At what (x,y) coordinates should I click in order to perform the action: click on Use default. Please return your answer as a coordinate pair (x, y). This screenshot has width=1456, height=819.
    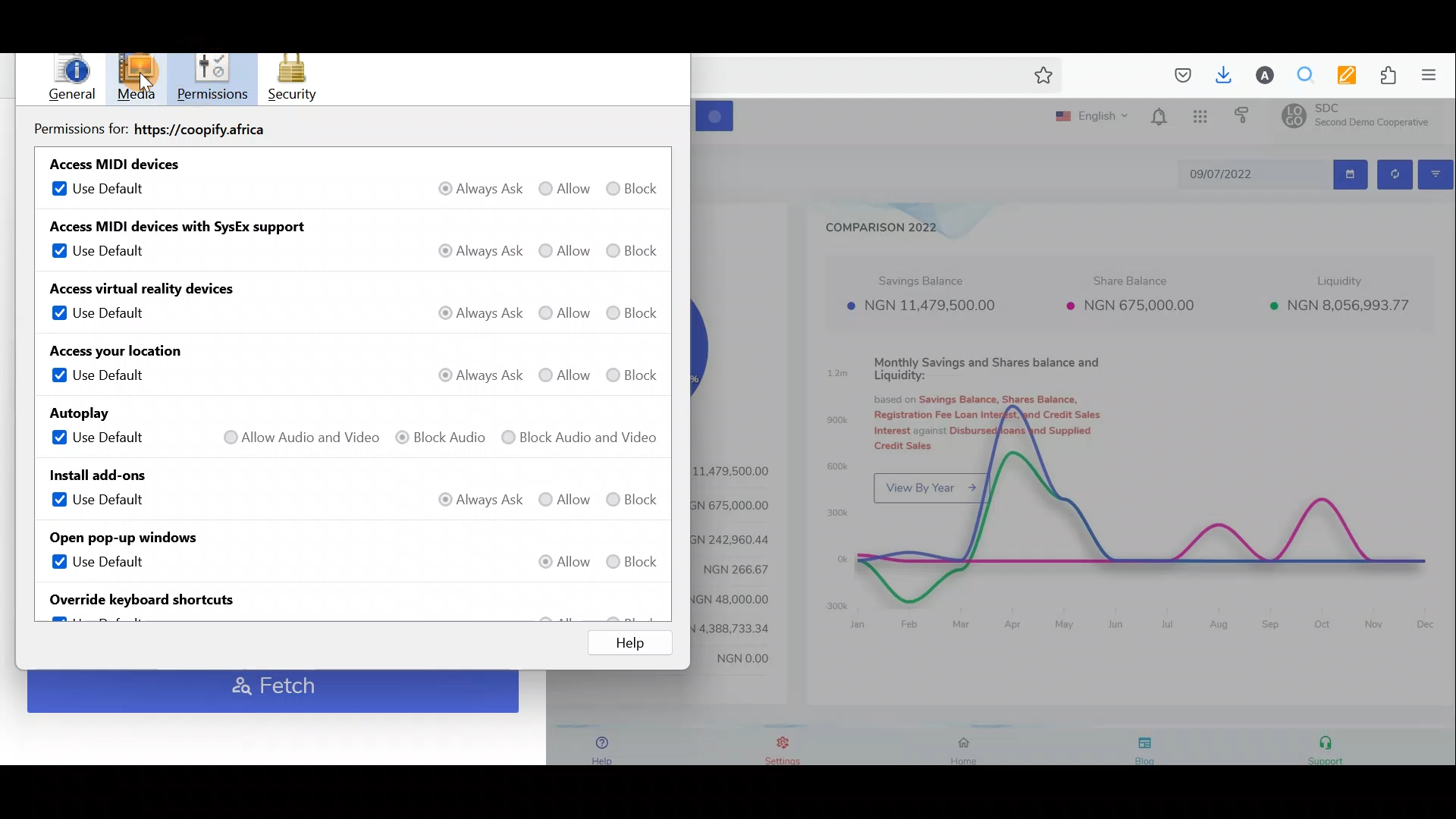
    Looking at the image, I should click on (113, 249).